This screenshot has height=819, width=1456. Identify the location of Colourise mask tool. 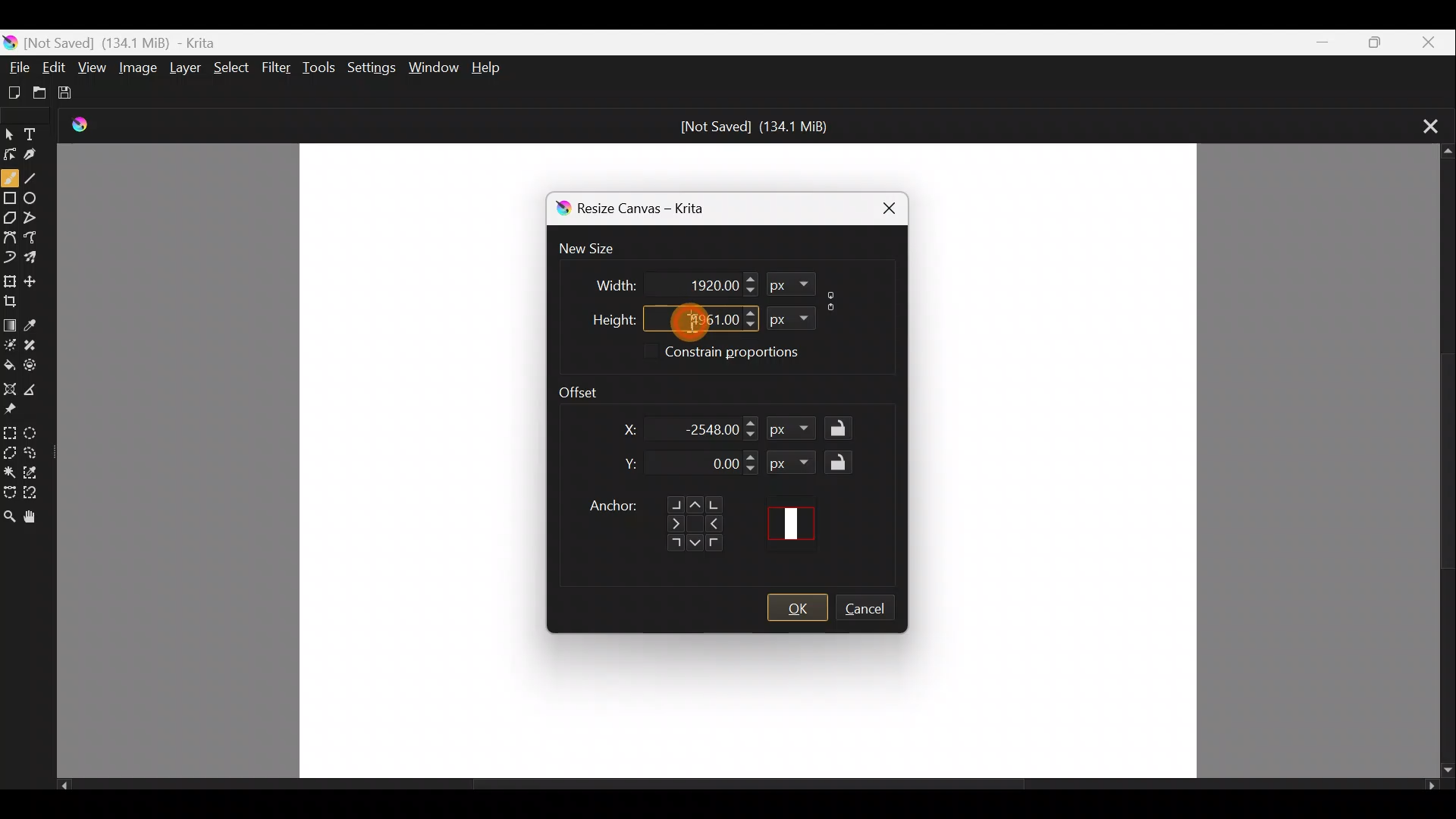
(12, 342).